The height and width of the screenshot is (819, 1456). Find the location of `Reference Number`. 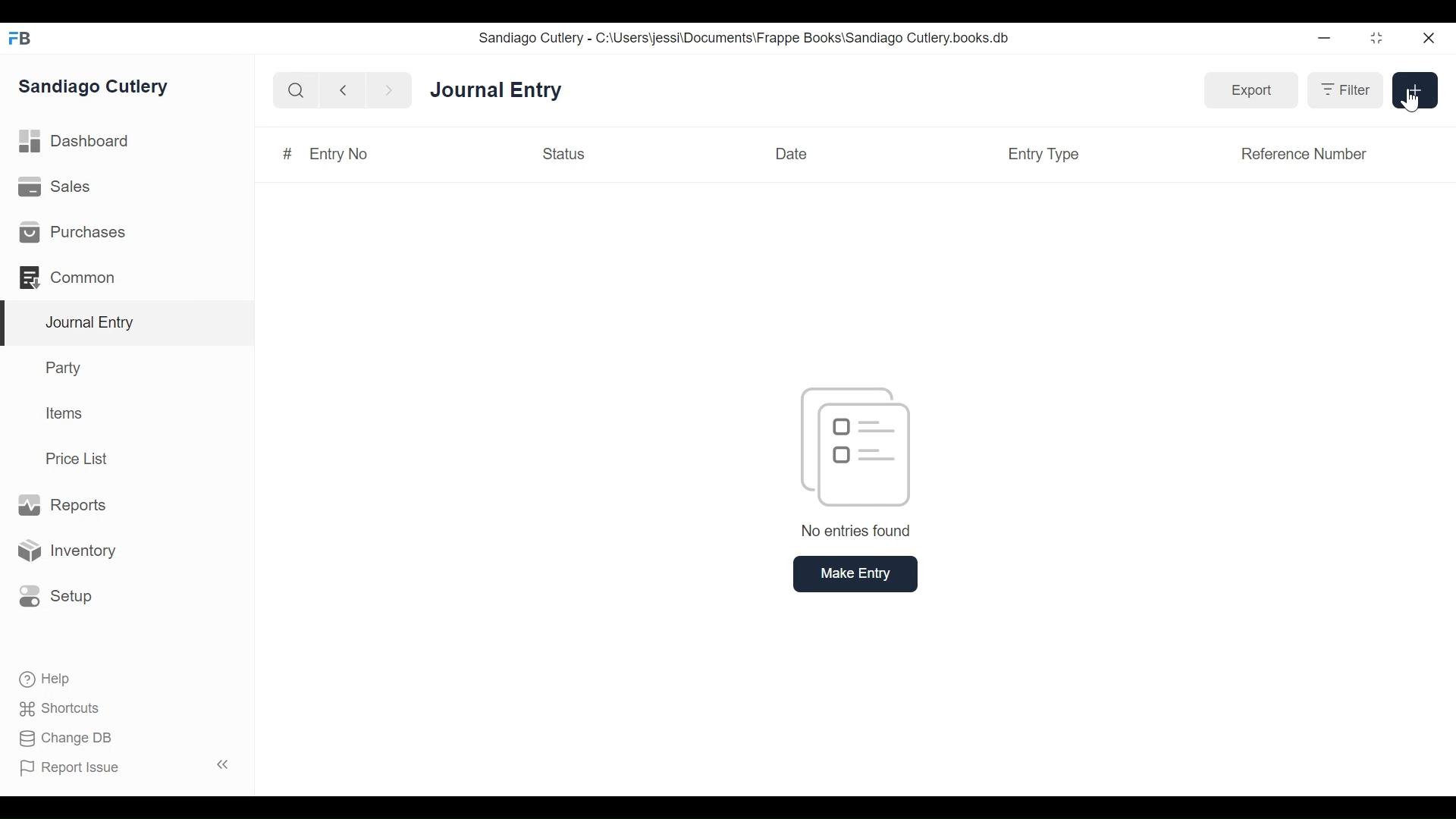

Reference Number is located at coordinates (1304, 157).